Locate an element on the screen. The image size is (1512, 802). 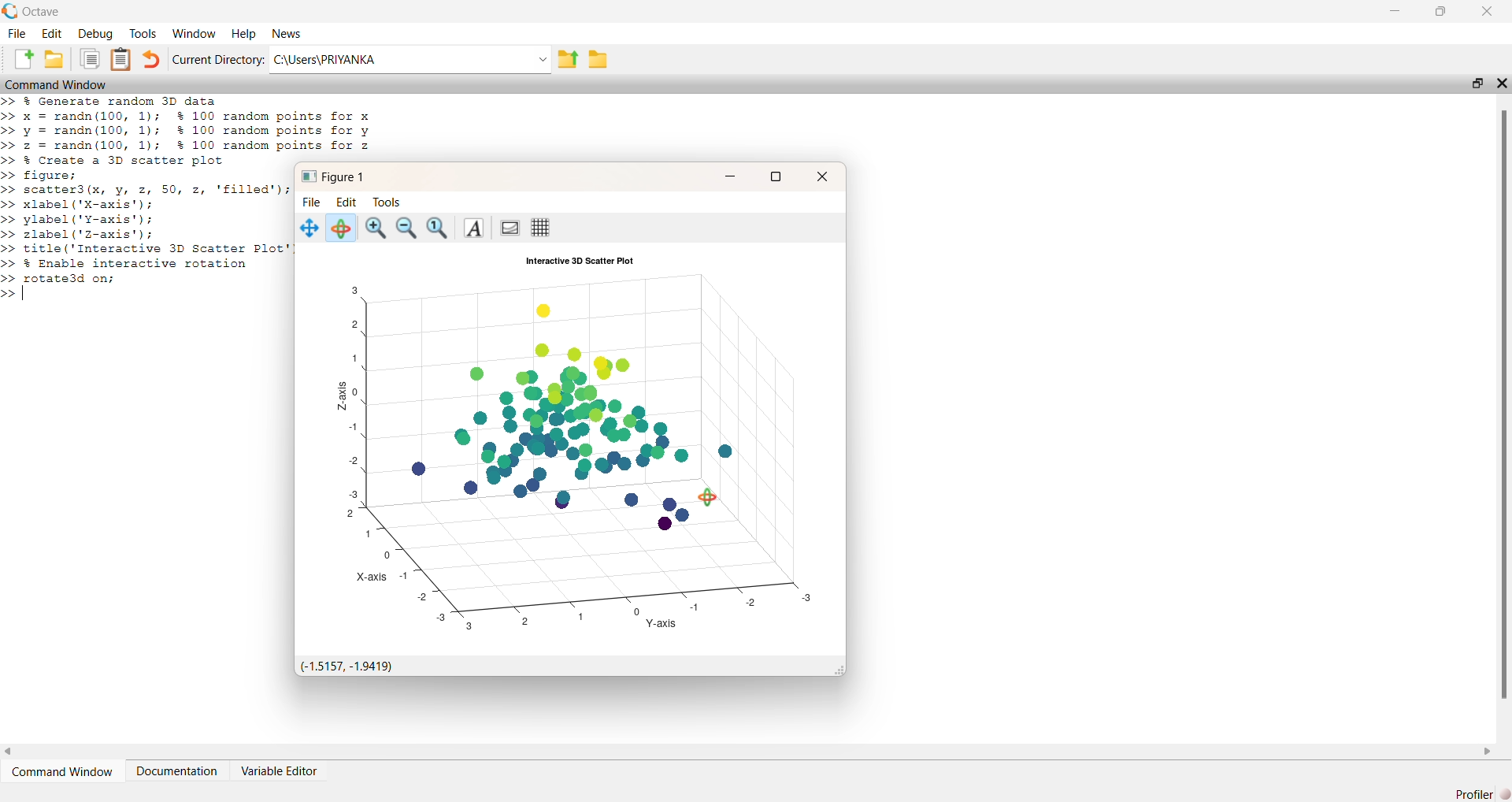
Command Window is located at coordinates (55, 84).